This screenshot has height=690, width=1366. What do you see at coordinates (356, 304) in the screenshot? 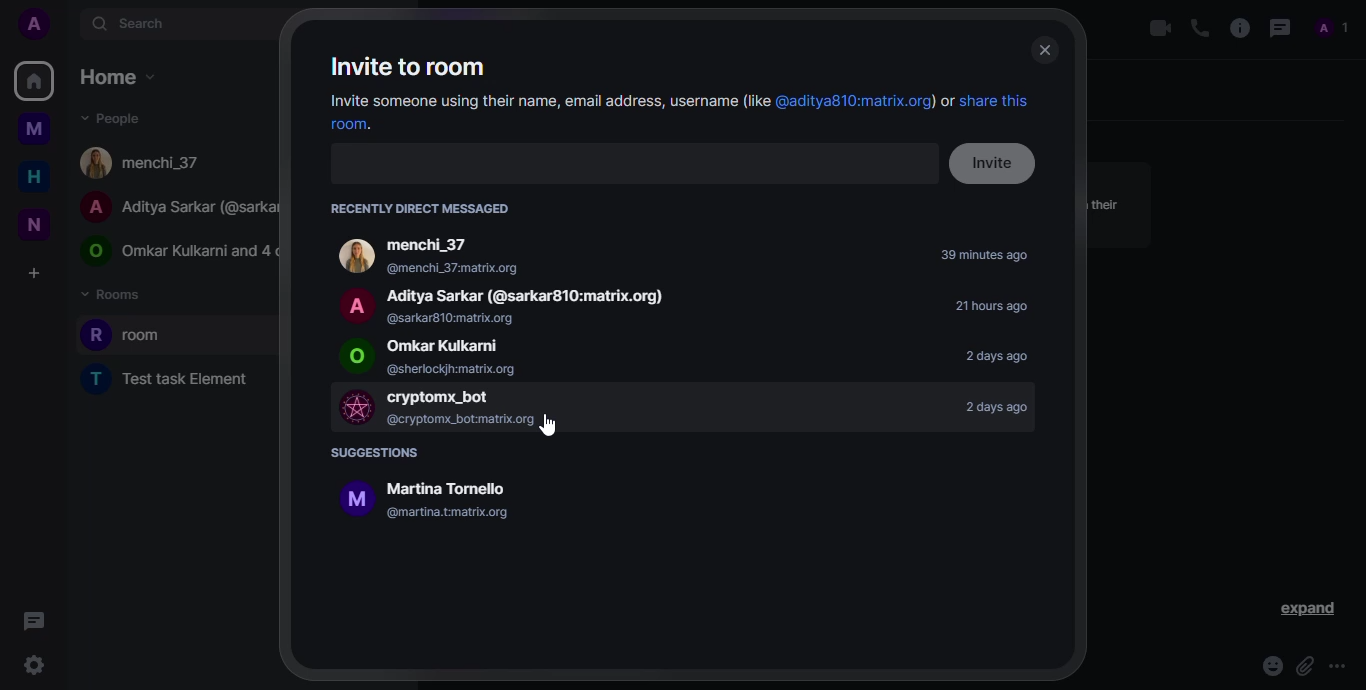
I see `logo` at bounding box center [356, 304].